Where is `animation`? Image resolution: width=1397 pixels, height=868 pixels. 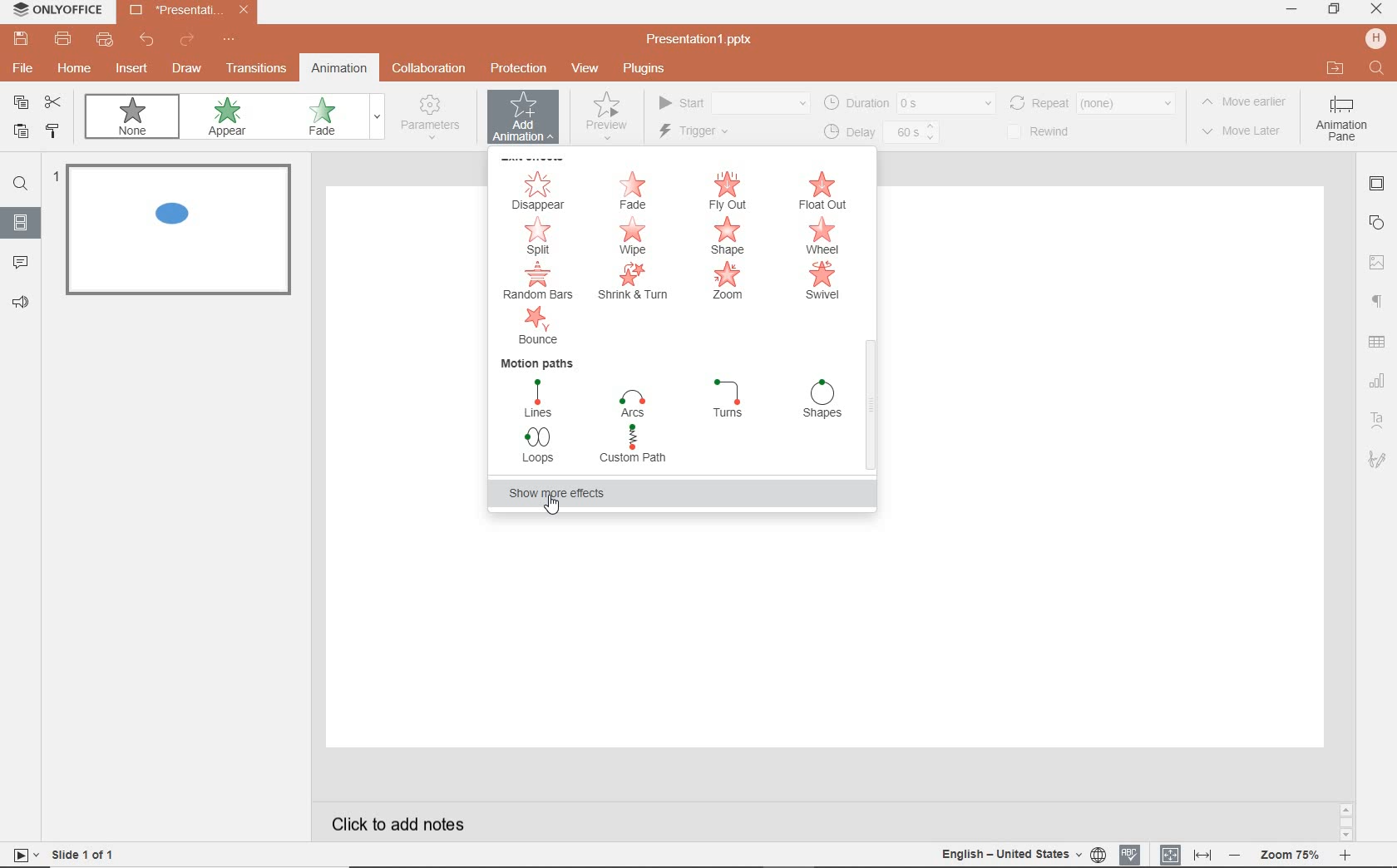
animation is located at coordinates (338, 67).